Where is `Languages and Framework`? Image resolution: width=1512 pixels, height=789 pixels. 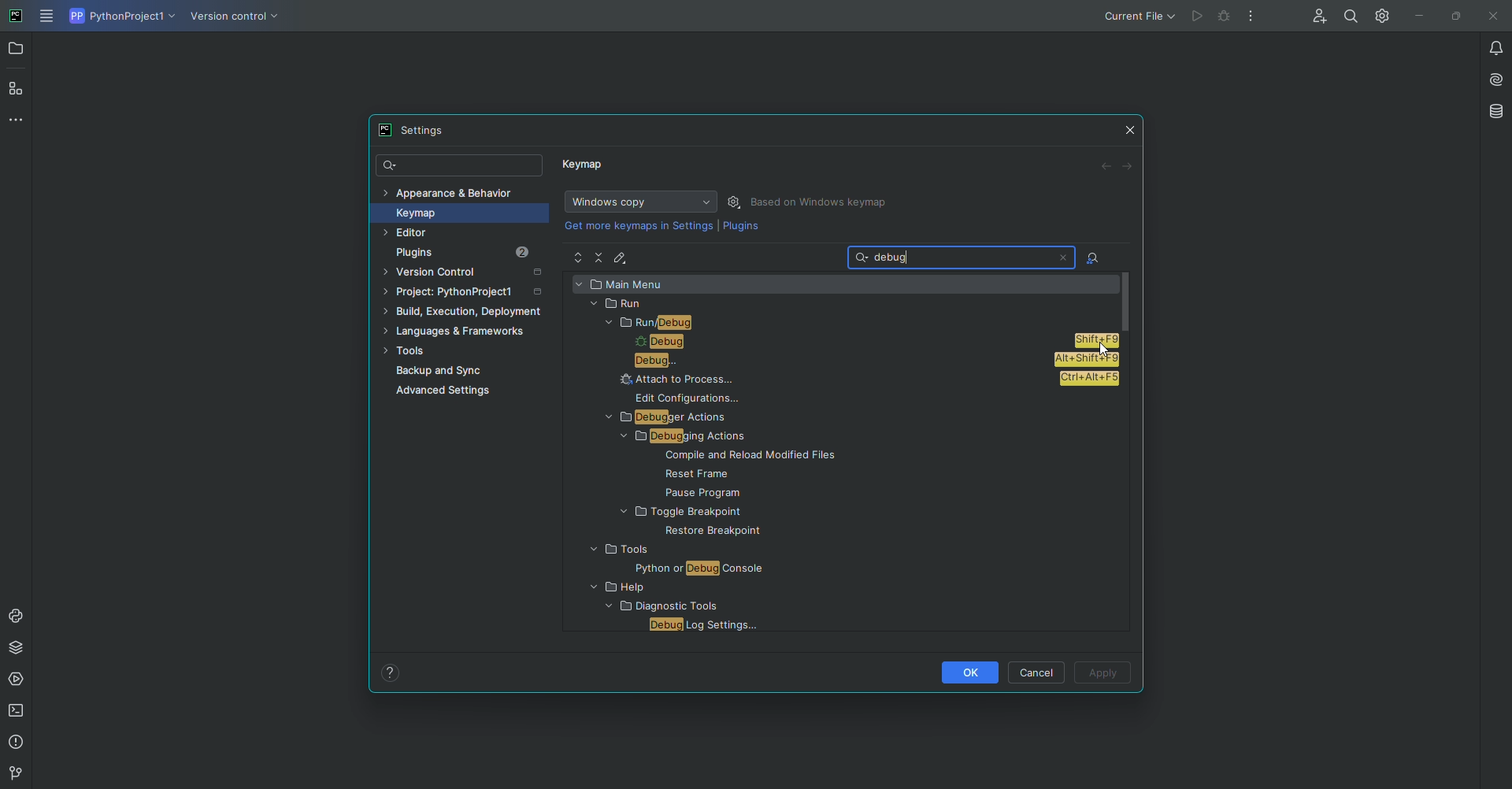
Languages and Framework is located at coordinates (461, 332).